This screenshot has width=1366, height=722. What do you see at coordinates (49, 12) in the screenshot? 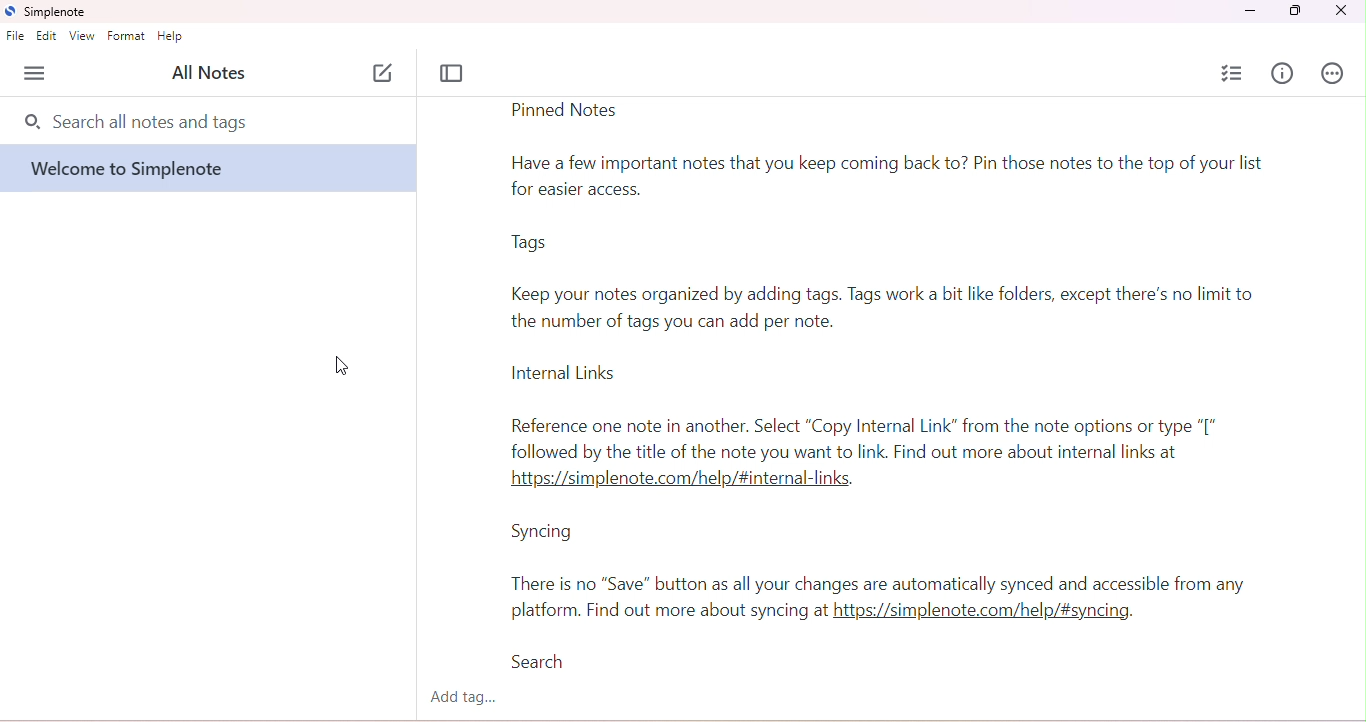
I see `simplenote` at bounding box center [49, 12].